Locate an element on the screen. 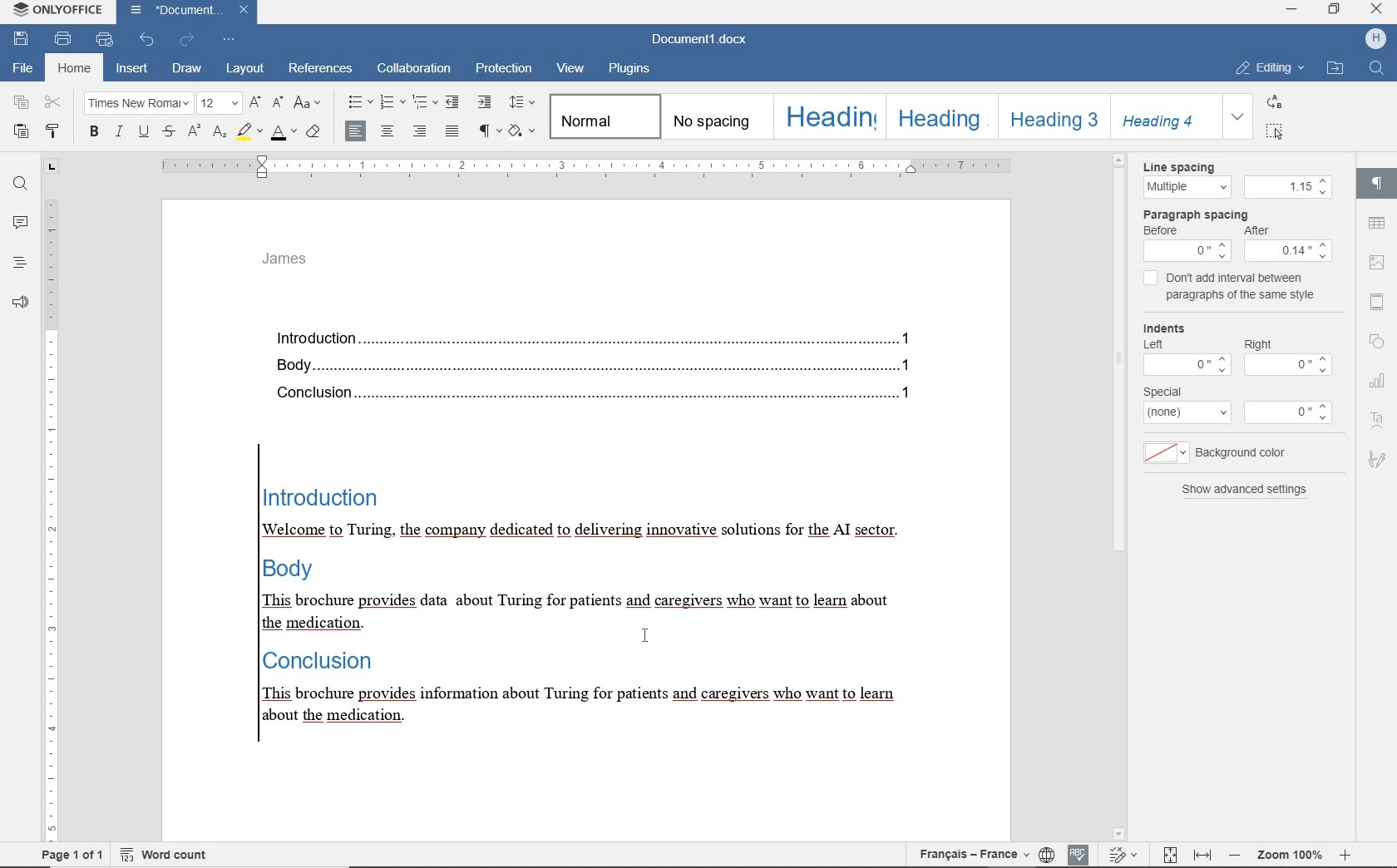 This screenshot has width=1397, height=868. superscript is located at coordinates (195, 133).